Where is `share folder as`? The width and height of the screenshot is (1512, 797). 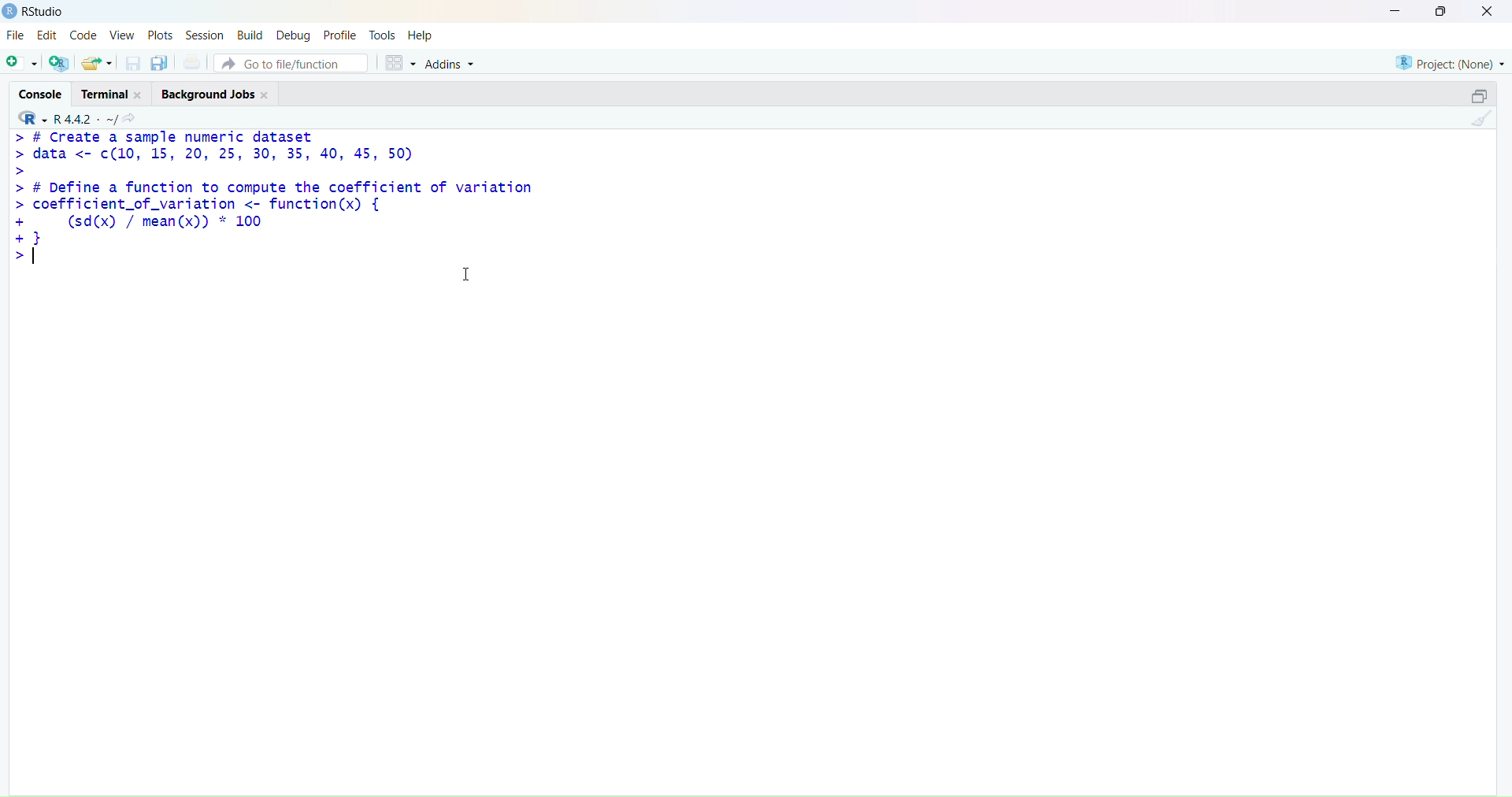
share folder as is located at coordinates (98, 63).